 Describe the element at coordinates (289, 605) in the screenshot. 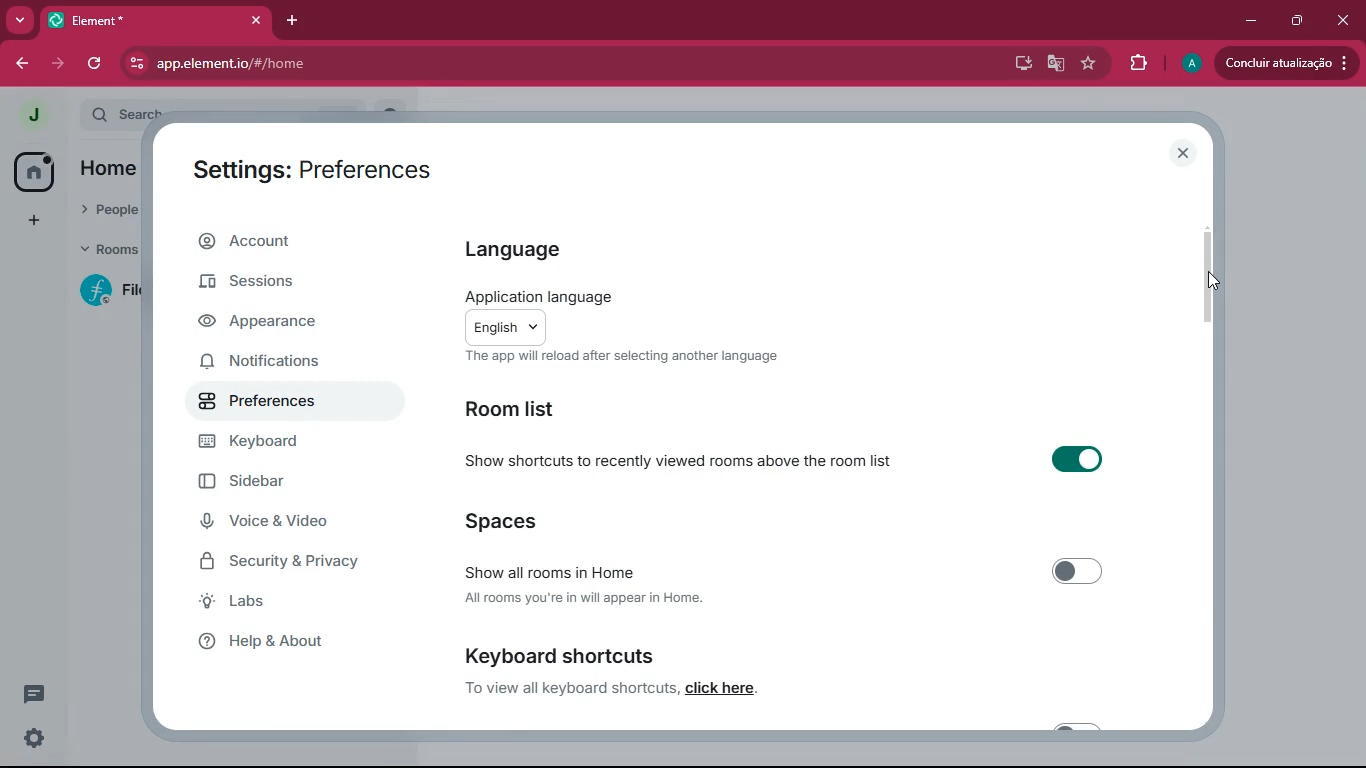

I see `labs` at that location.